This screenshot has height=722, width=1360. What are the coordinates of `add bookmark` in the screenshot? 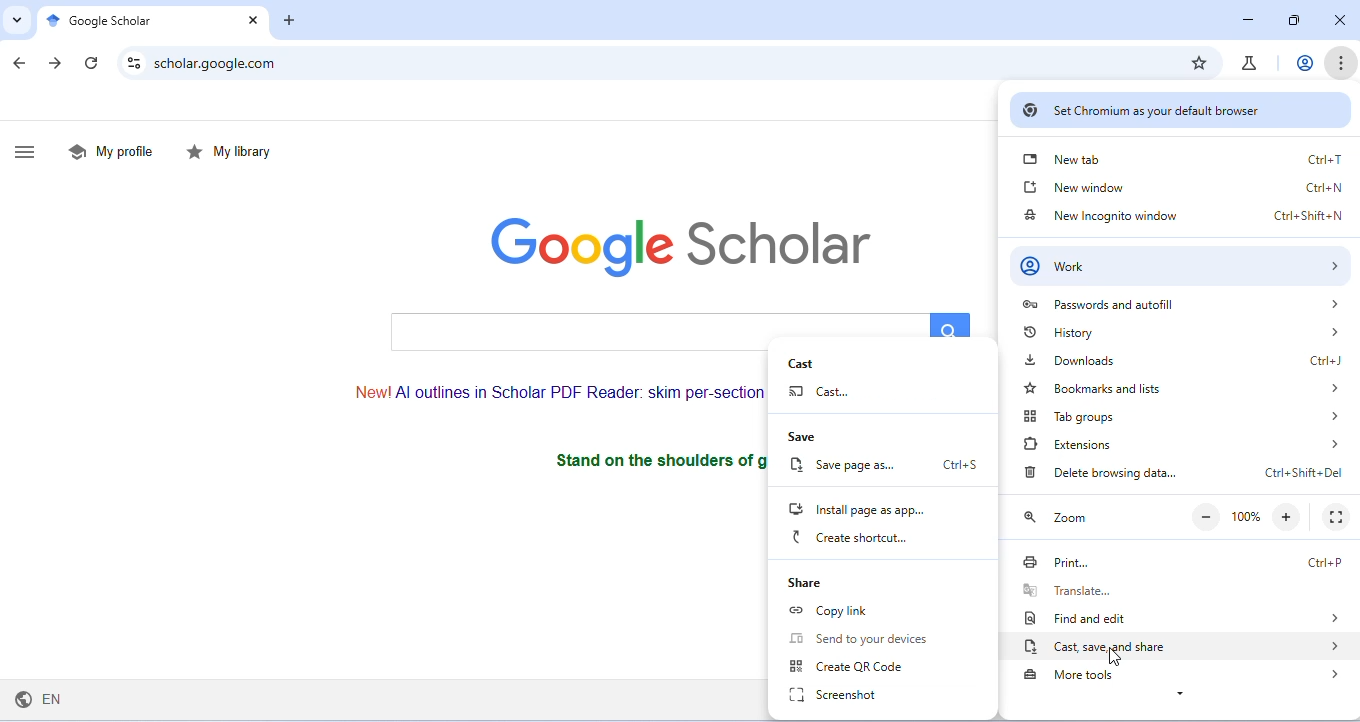 It's located at (1198, 62).